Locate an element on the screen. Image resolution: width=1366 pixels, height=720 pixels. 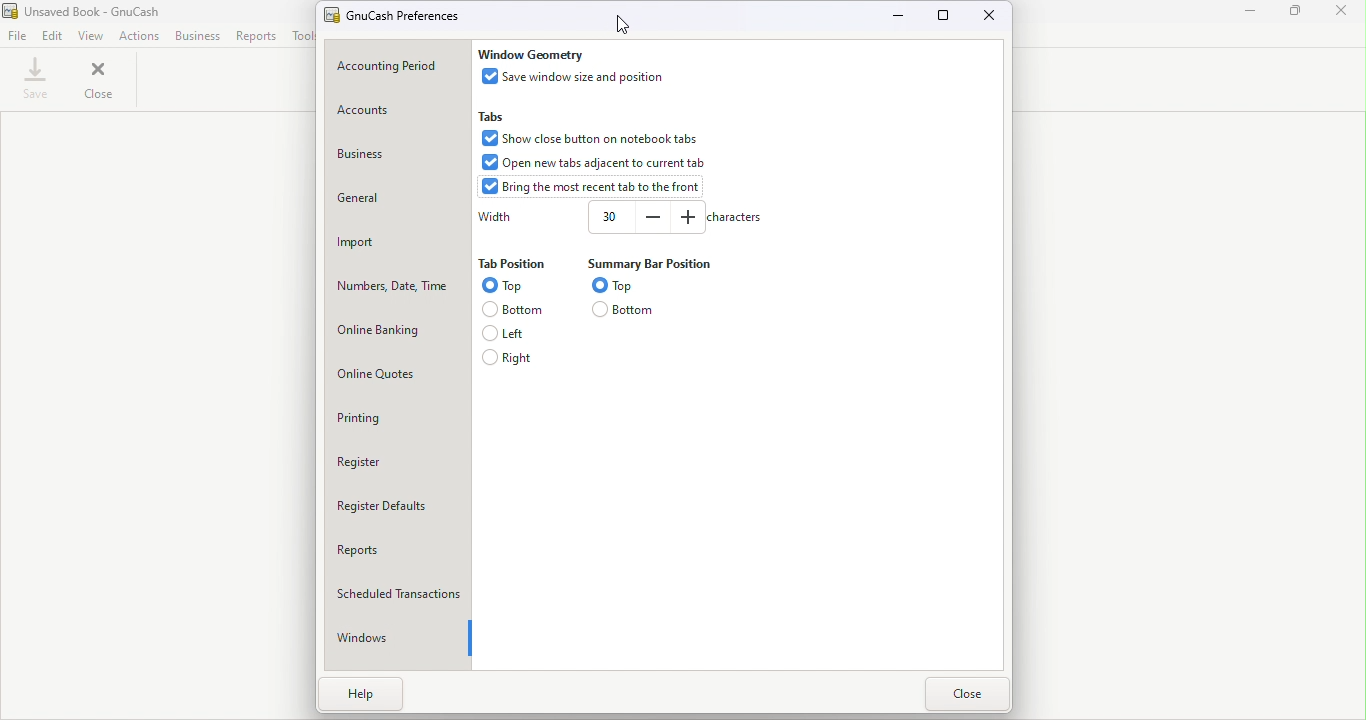
Width is located at coordinates (608, 216).